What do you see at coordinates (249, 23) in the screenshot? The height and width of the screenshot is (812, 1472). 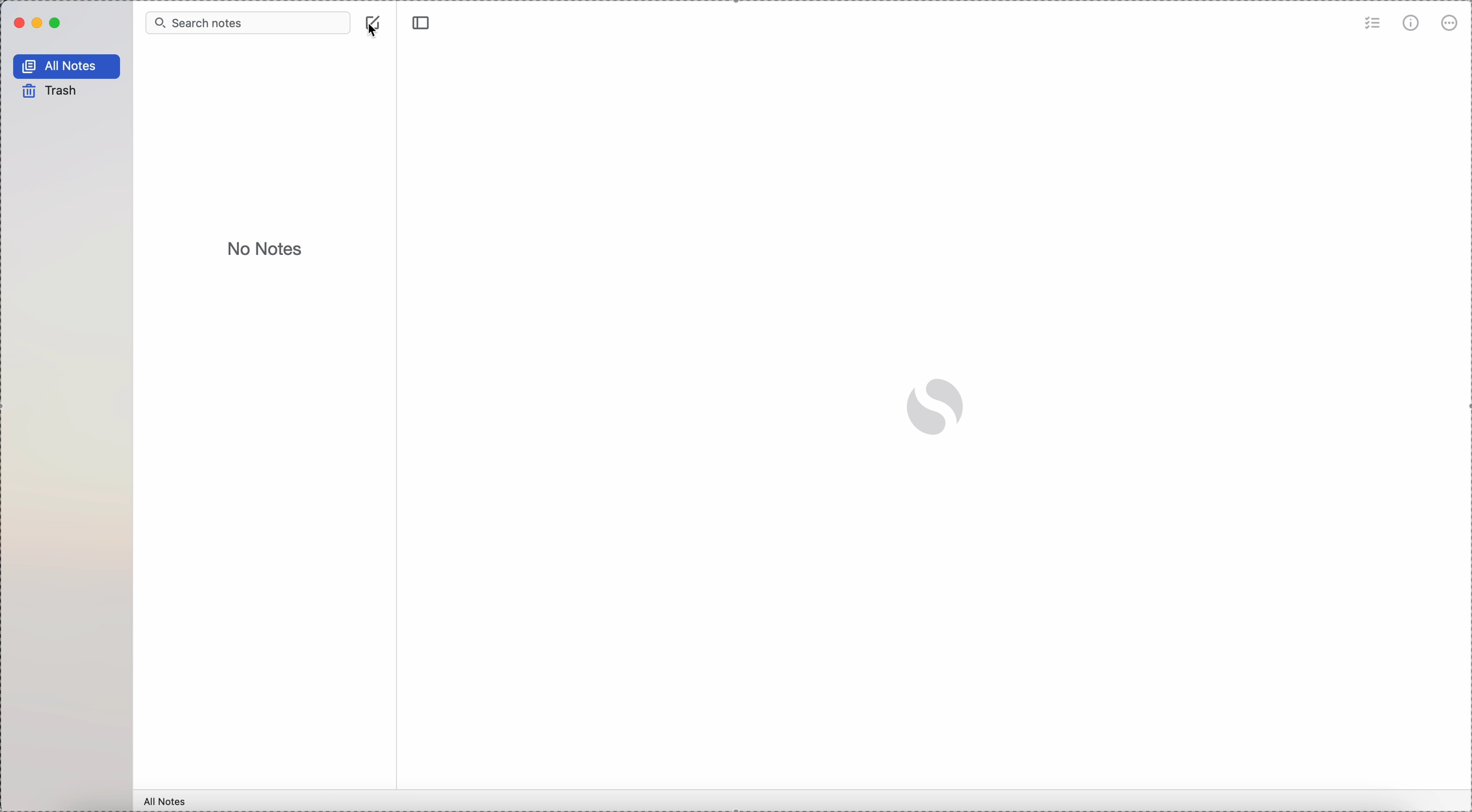 I see `search bar` at bounding box center [249, 23].